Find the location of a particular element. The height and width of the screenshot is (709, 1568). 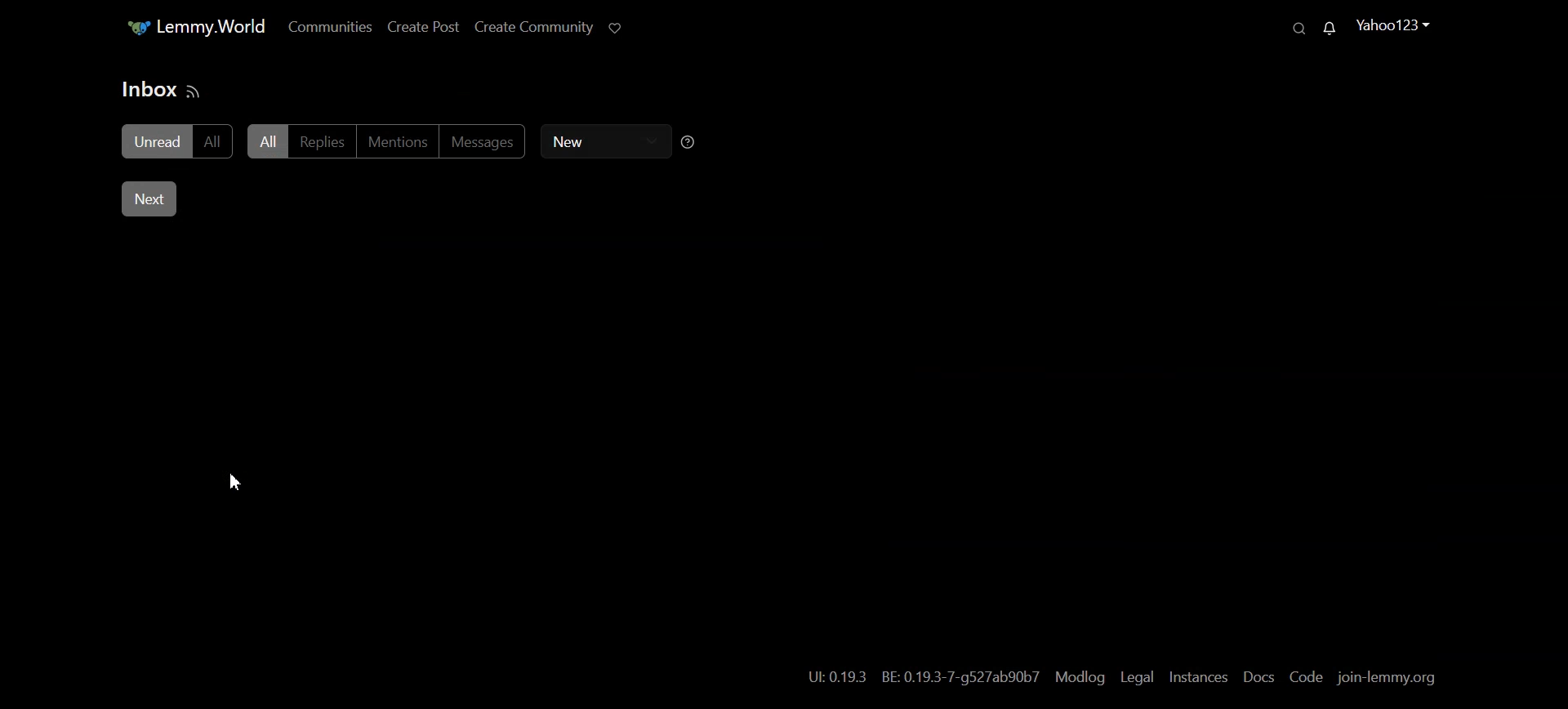

Mentions is located at coordinates (400, 140).